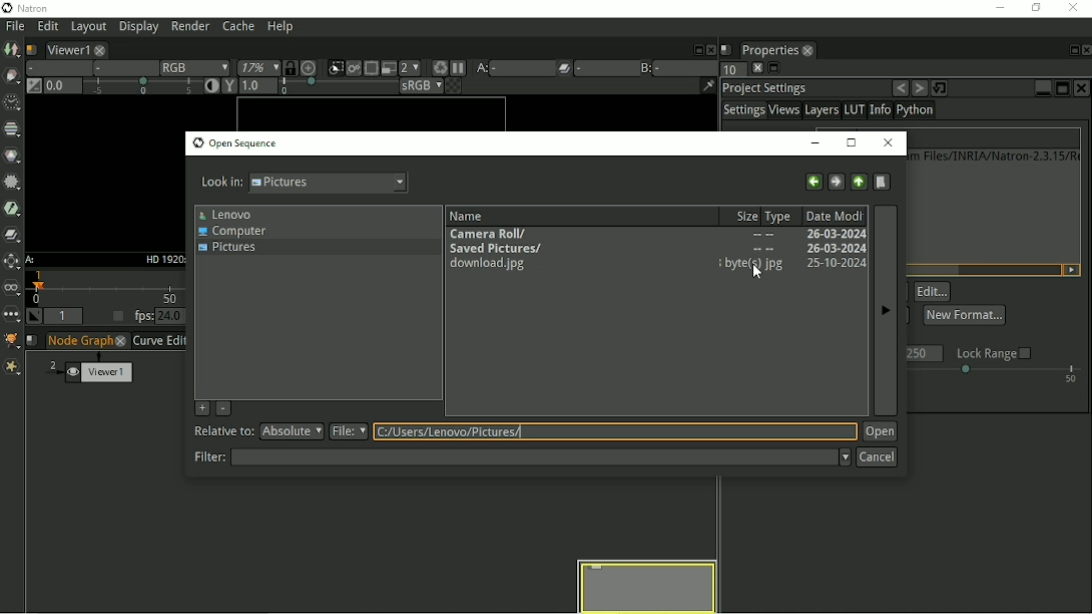 The height and width of the screenshot is (614, 1092). I want to click on Lenovo, so click(226, 214).